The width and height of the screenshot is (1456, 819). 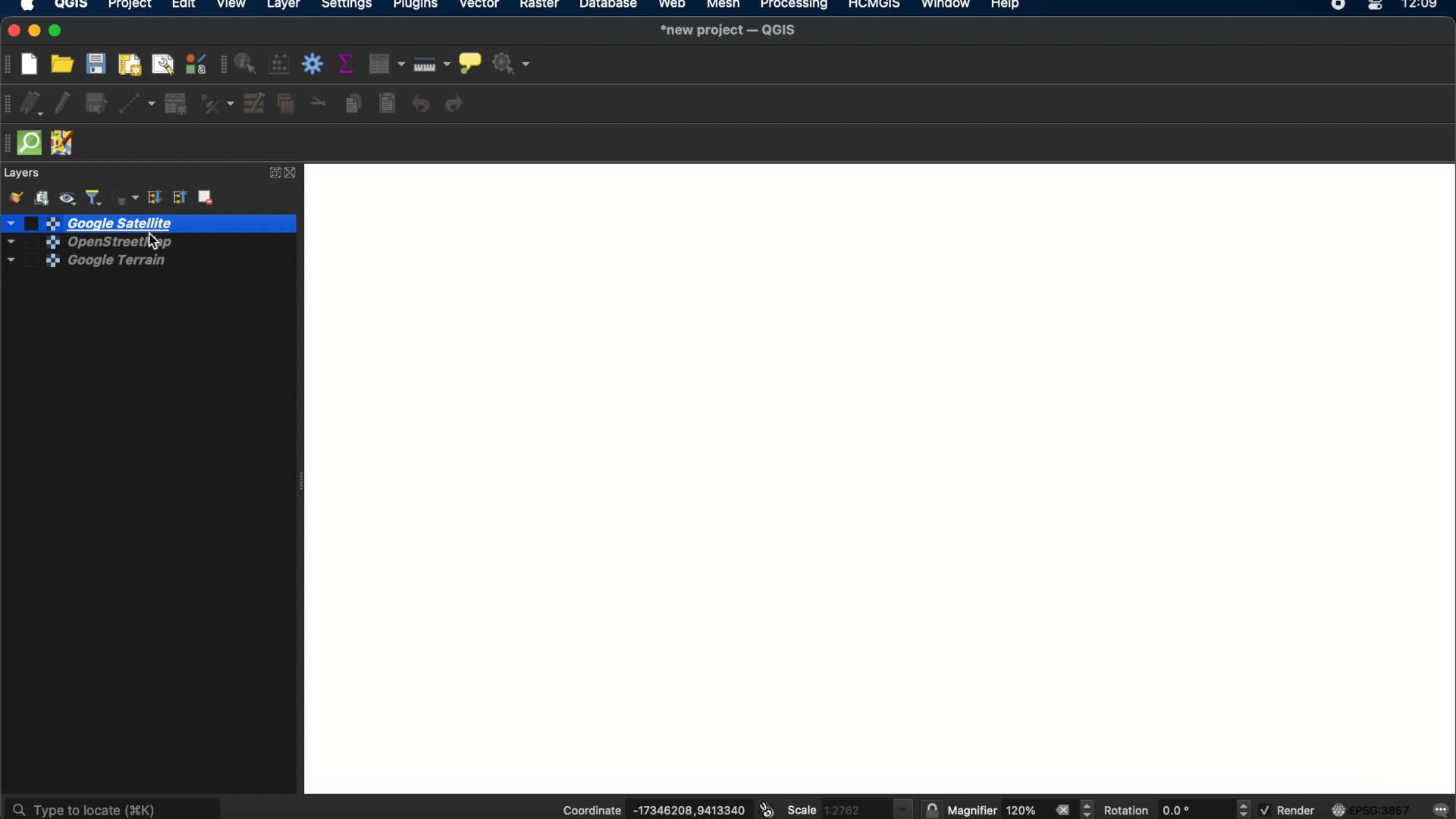 What do you see at coordinates (1244, 809) in the screenshot?
I see `rotation` at bounding box center [1244, 809].